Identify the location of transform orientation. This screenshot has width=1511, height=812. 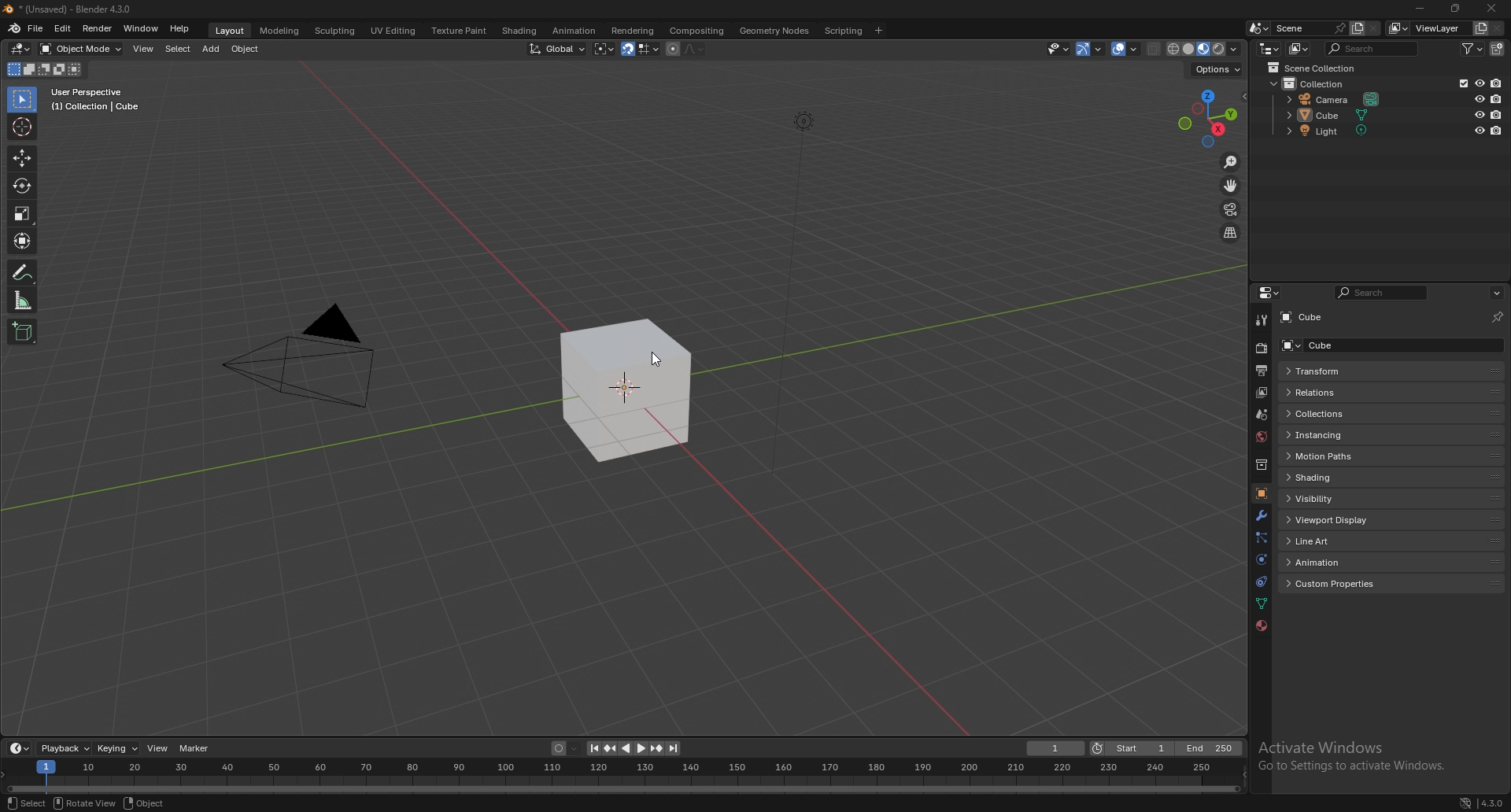
(557, 48).